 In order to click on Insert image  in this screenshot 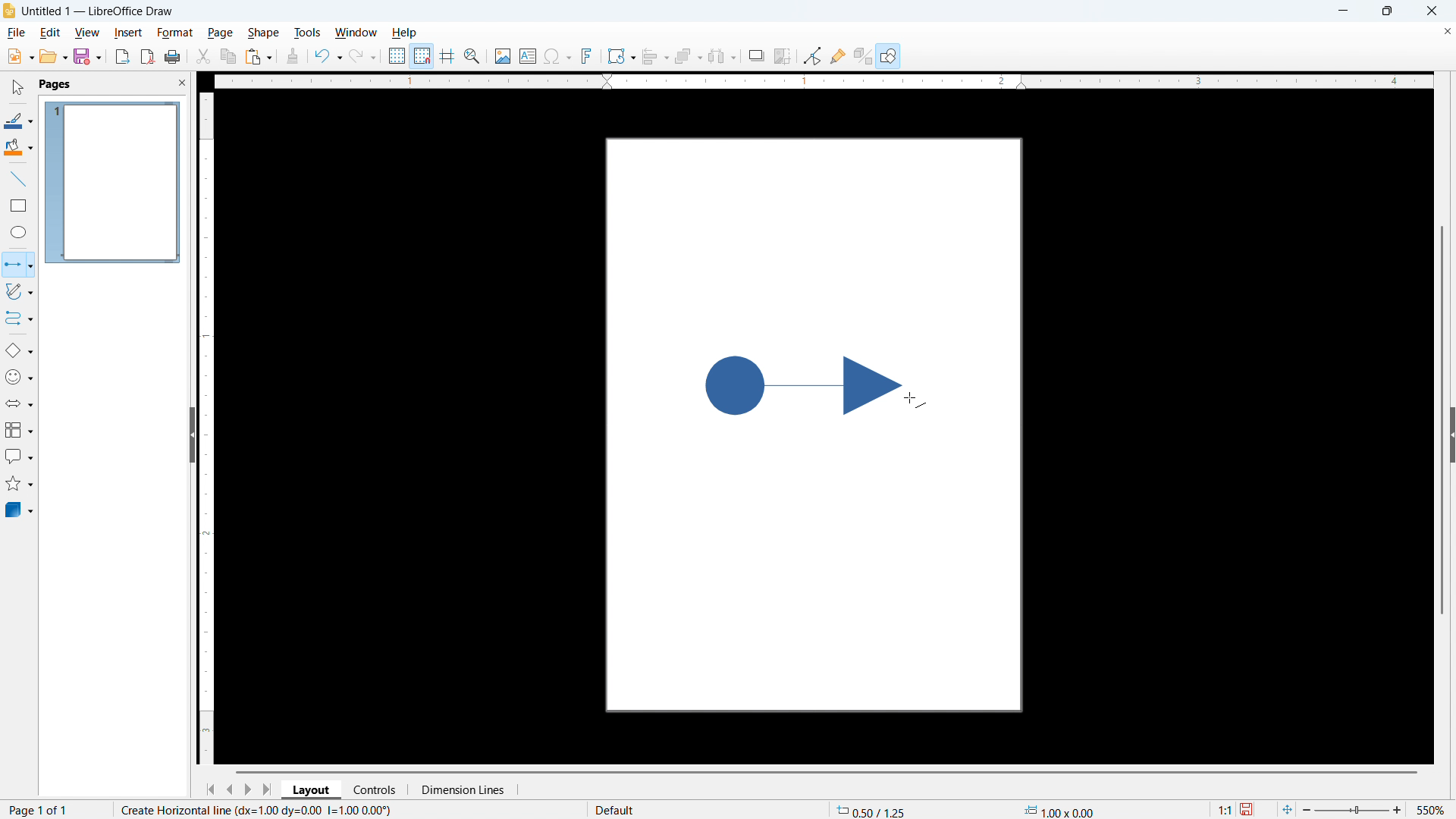, I will do `click(504, 56)`.